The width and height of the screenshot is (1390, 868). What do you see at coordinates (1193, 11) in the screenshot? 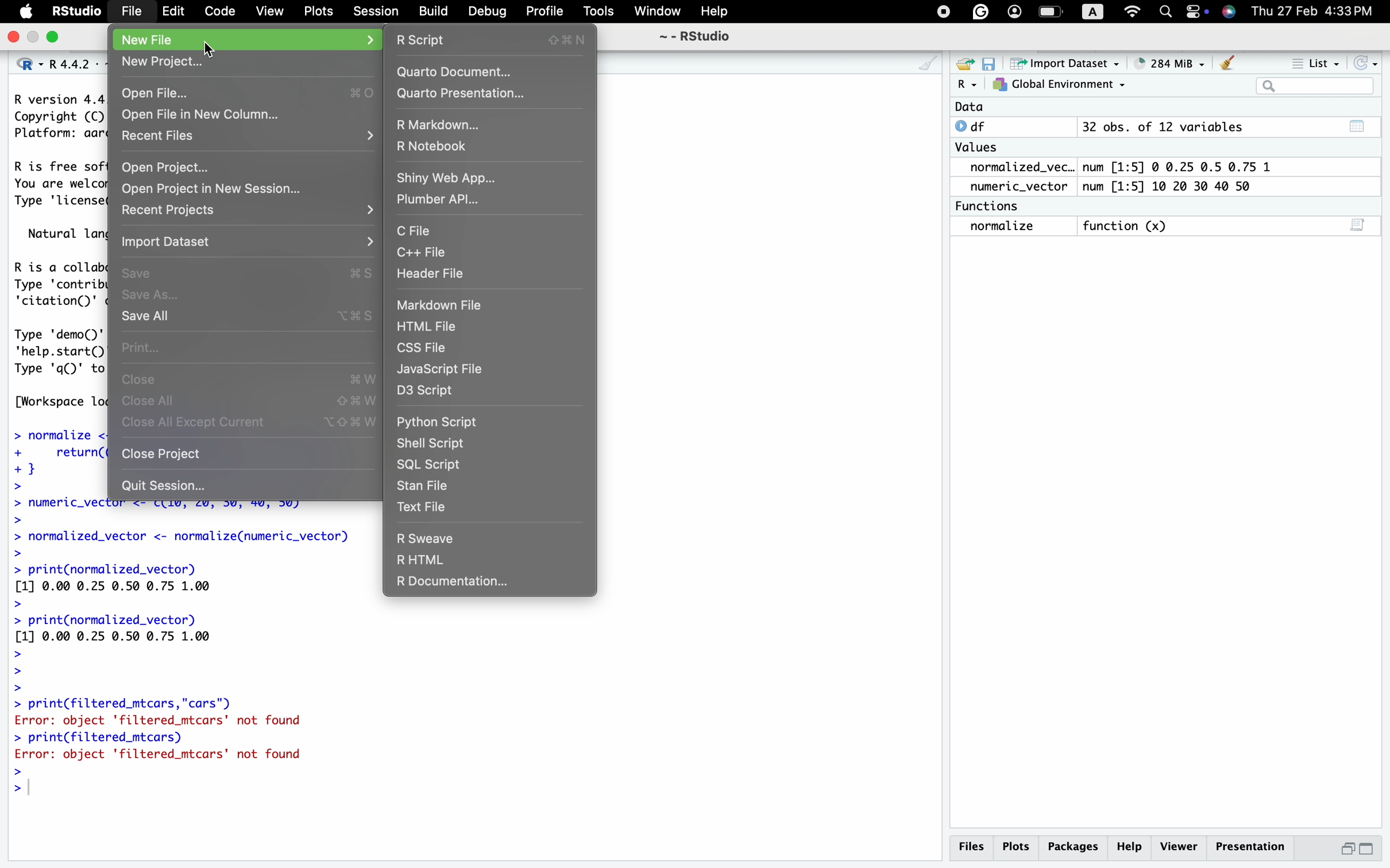
I see `battery` at bounding box center [1193, 11].